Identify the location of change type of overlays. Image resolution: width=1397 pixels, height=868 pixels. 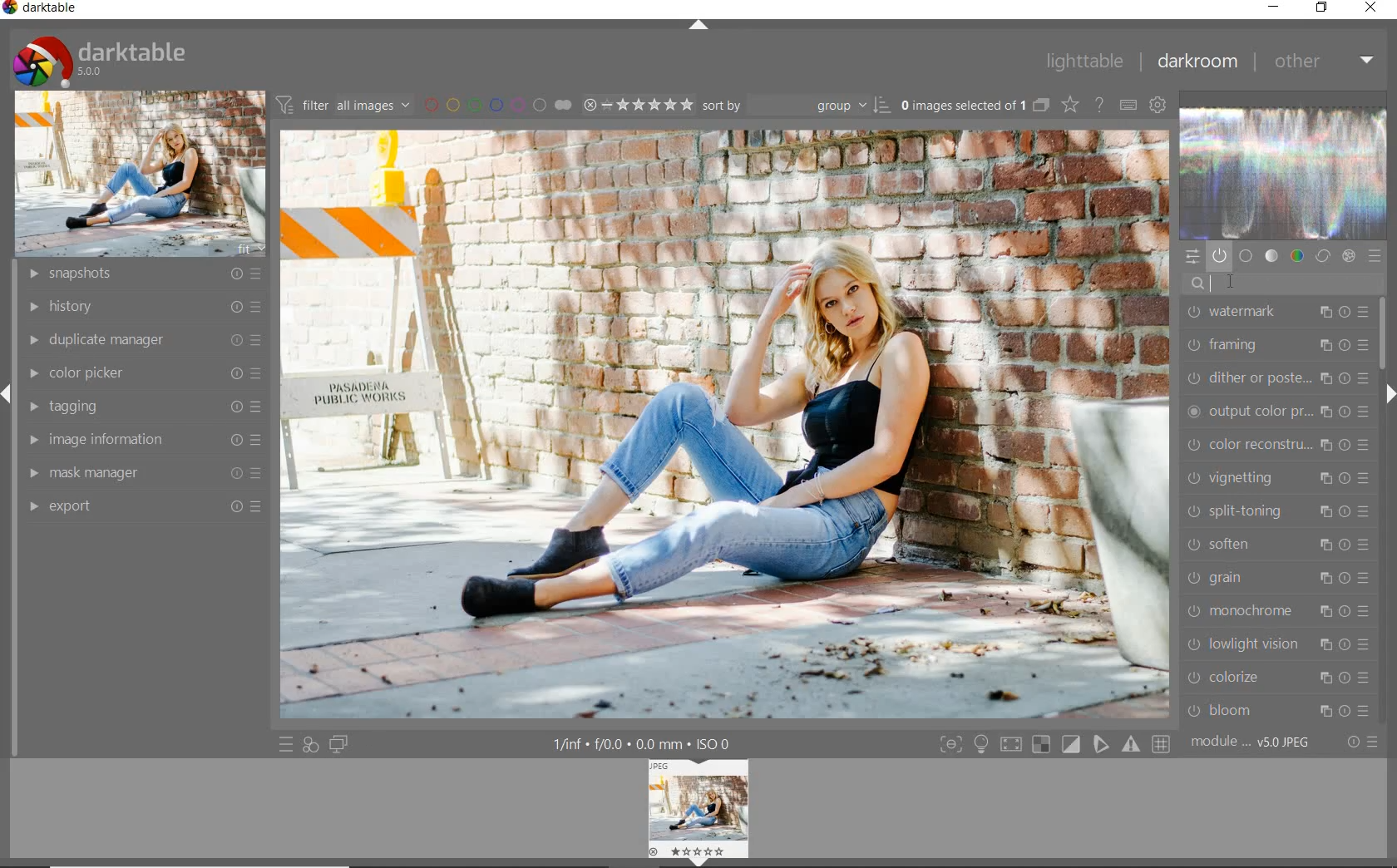
(1069, 106).